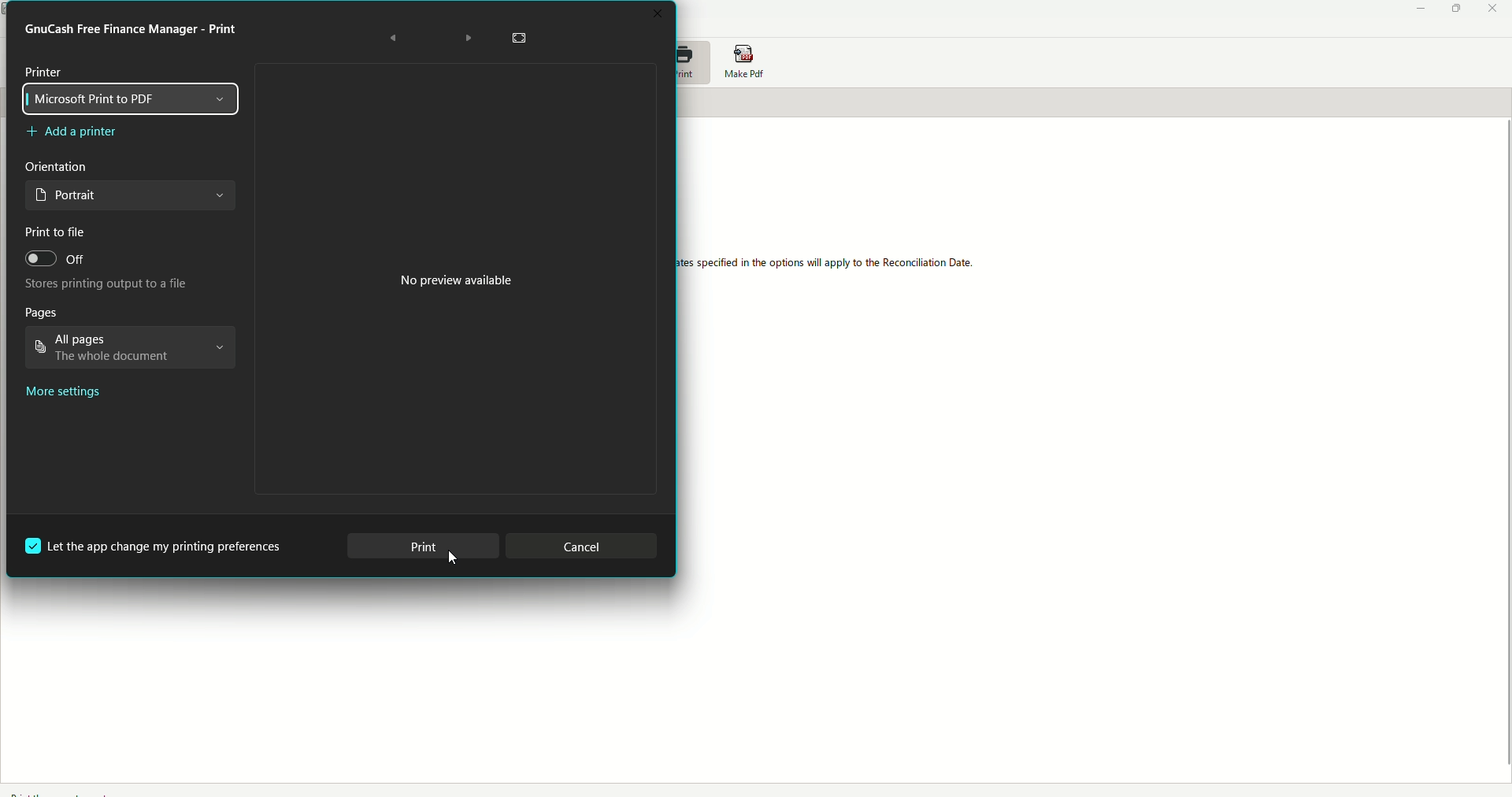 The width and height of the screenshot is (1512, 797). I want to click on Portrait, so click(66, 197).